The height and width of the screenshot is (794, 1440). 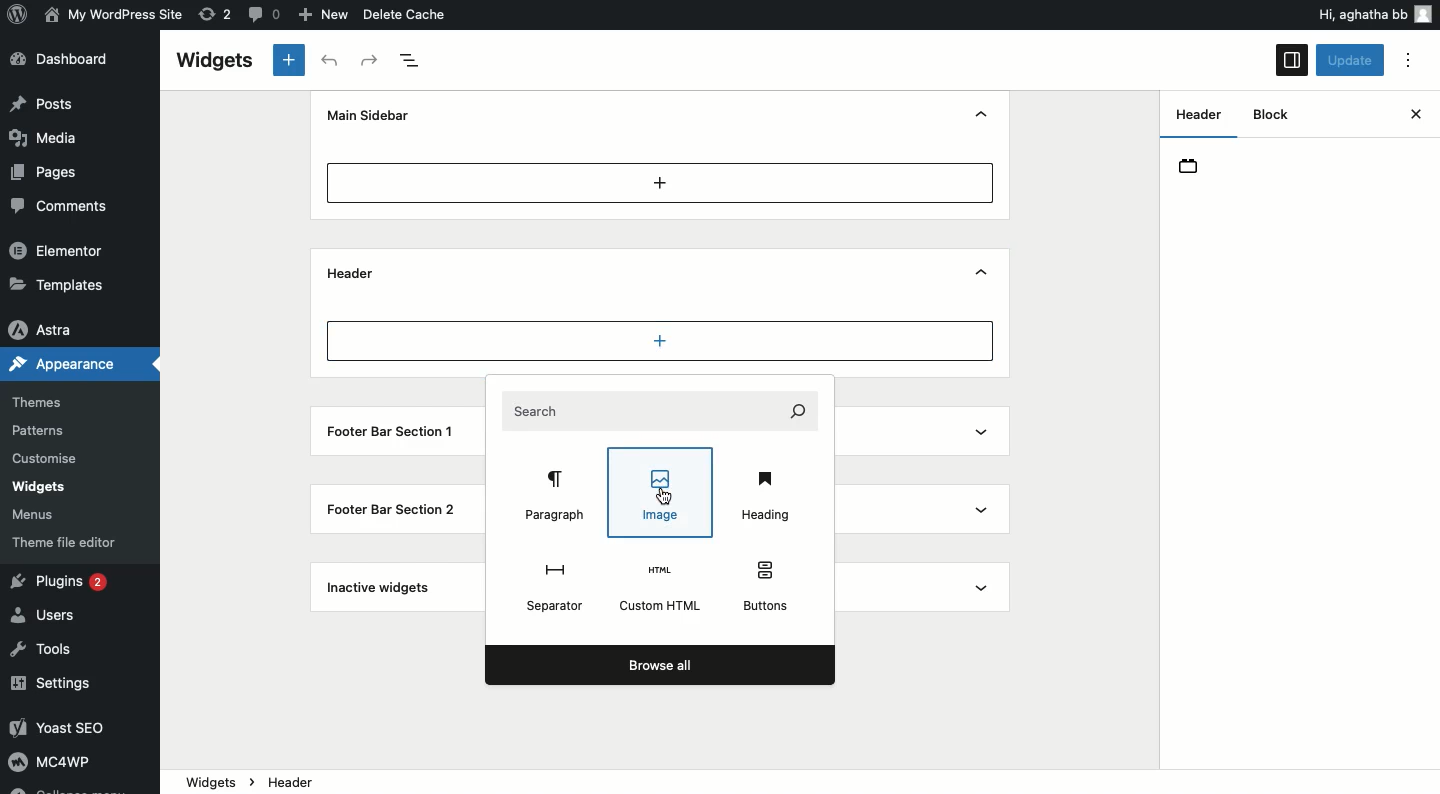 What do you see at coordinates (978, 429) in the screenshot?
I see `Show` at bounding box center [978, 429].